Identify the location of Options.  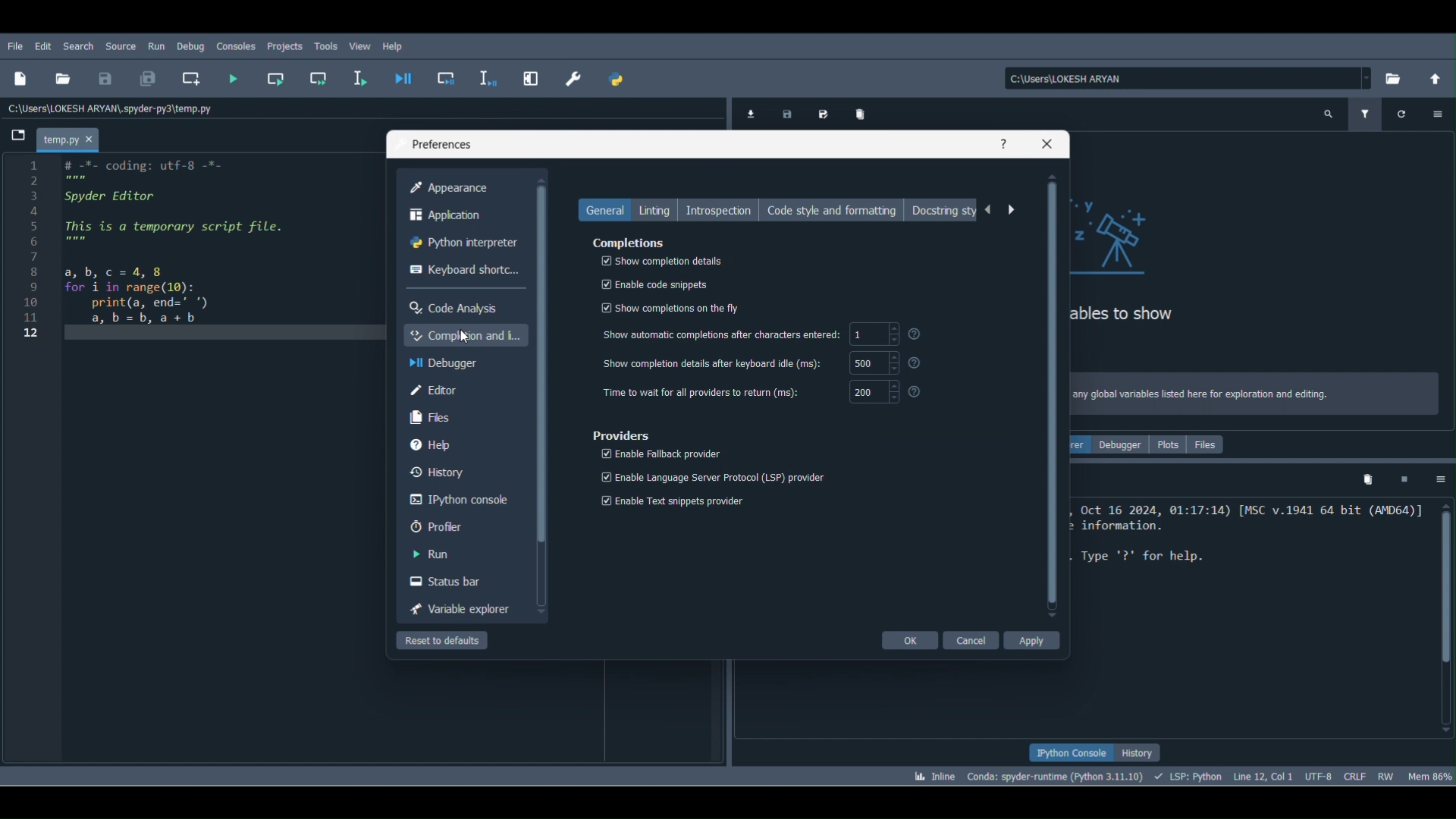
(1438, 111).